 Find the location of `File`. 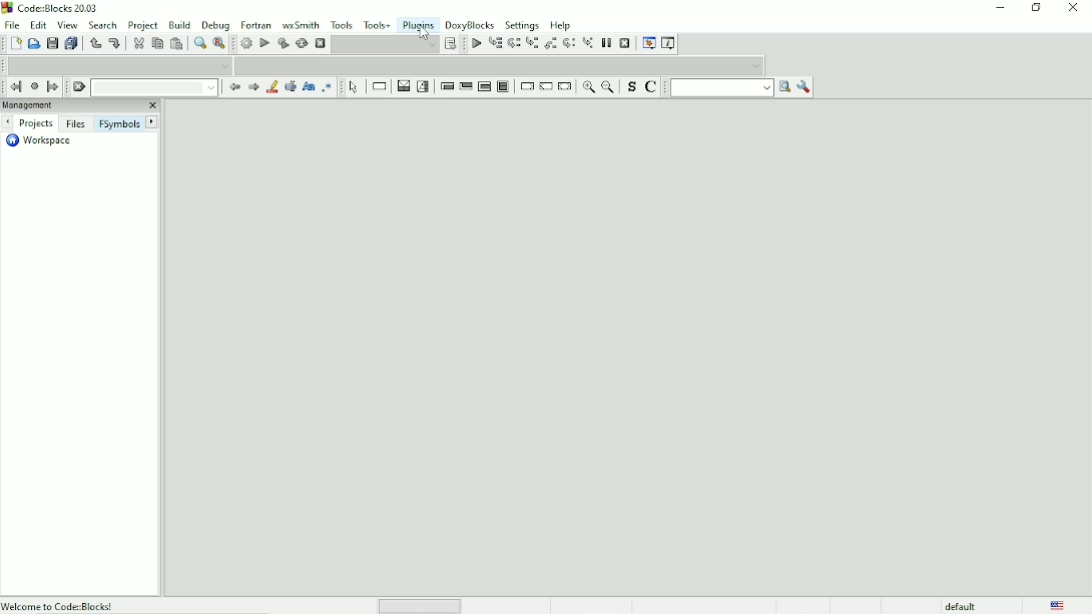

File is located at coordinates (10, 24).